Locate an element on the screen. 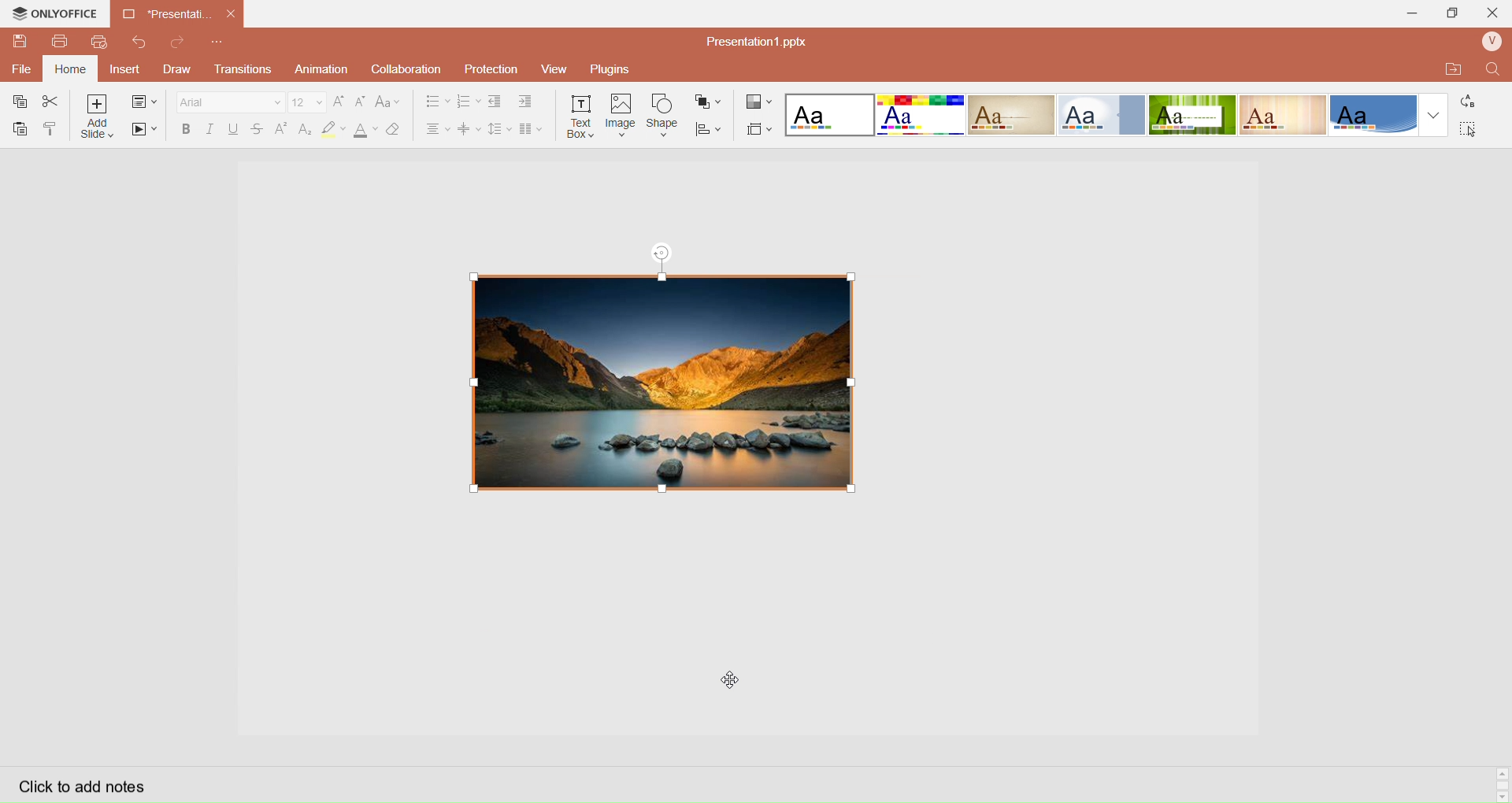 The width and height of the screenshot is (1512, 803). Plugins is located at coordinates (613, 69).